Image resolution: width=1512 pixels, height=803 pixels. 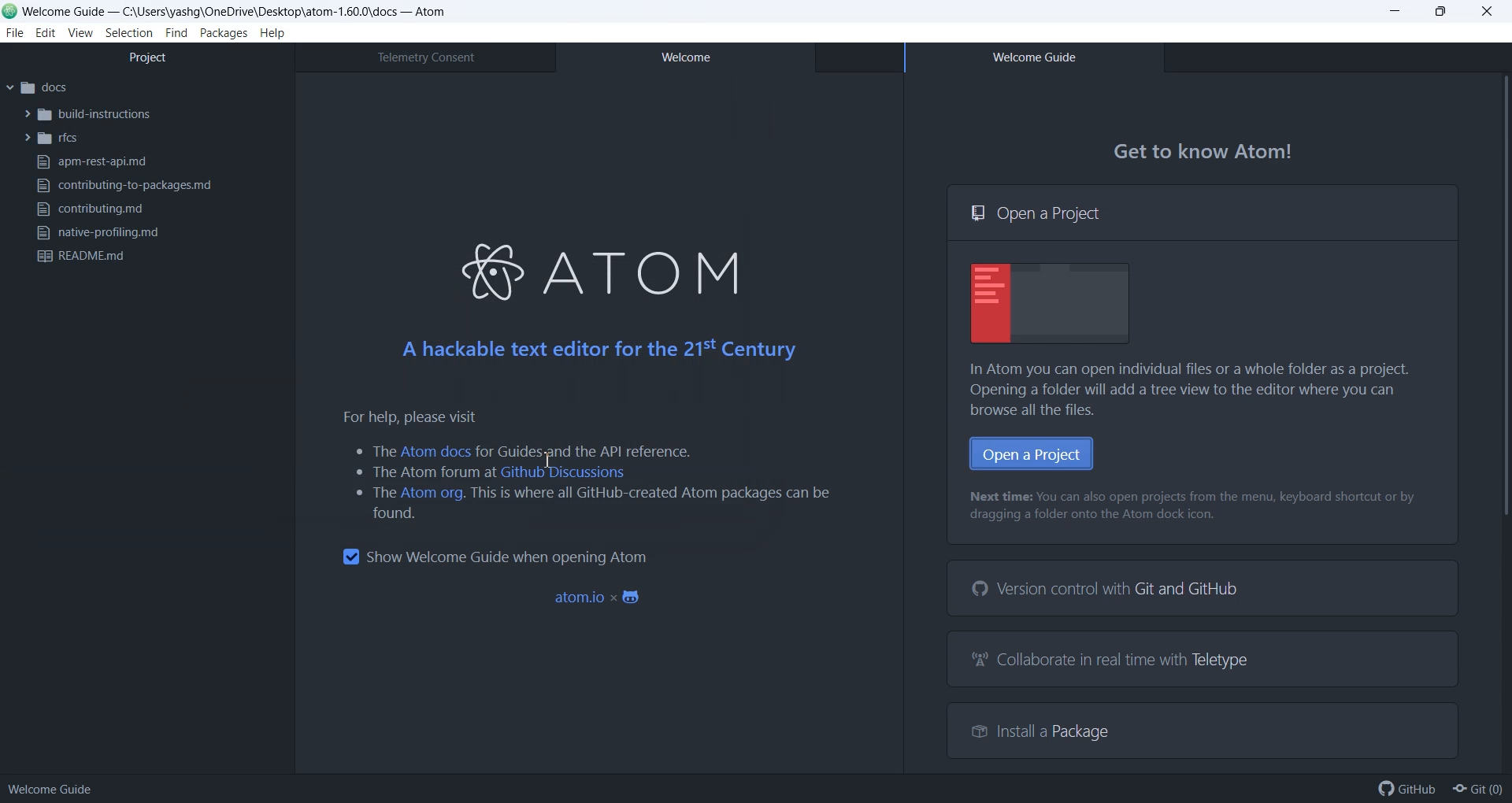 I want to click on README.md, so click(x=84, y=257).